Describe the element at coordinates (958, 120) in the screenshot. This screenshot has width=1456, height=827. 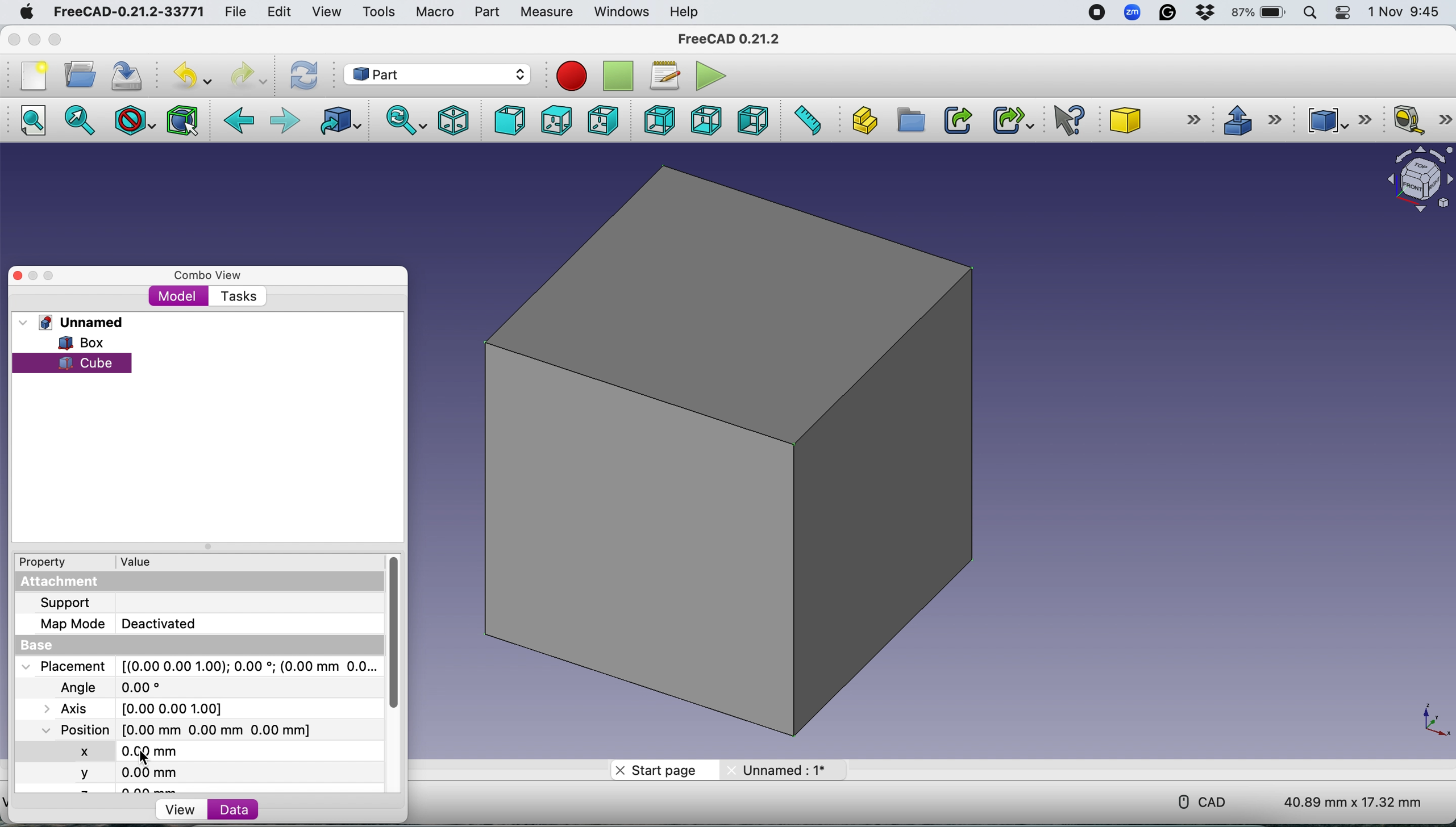
I see `Make link` at that location.